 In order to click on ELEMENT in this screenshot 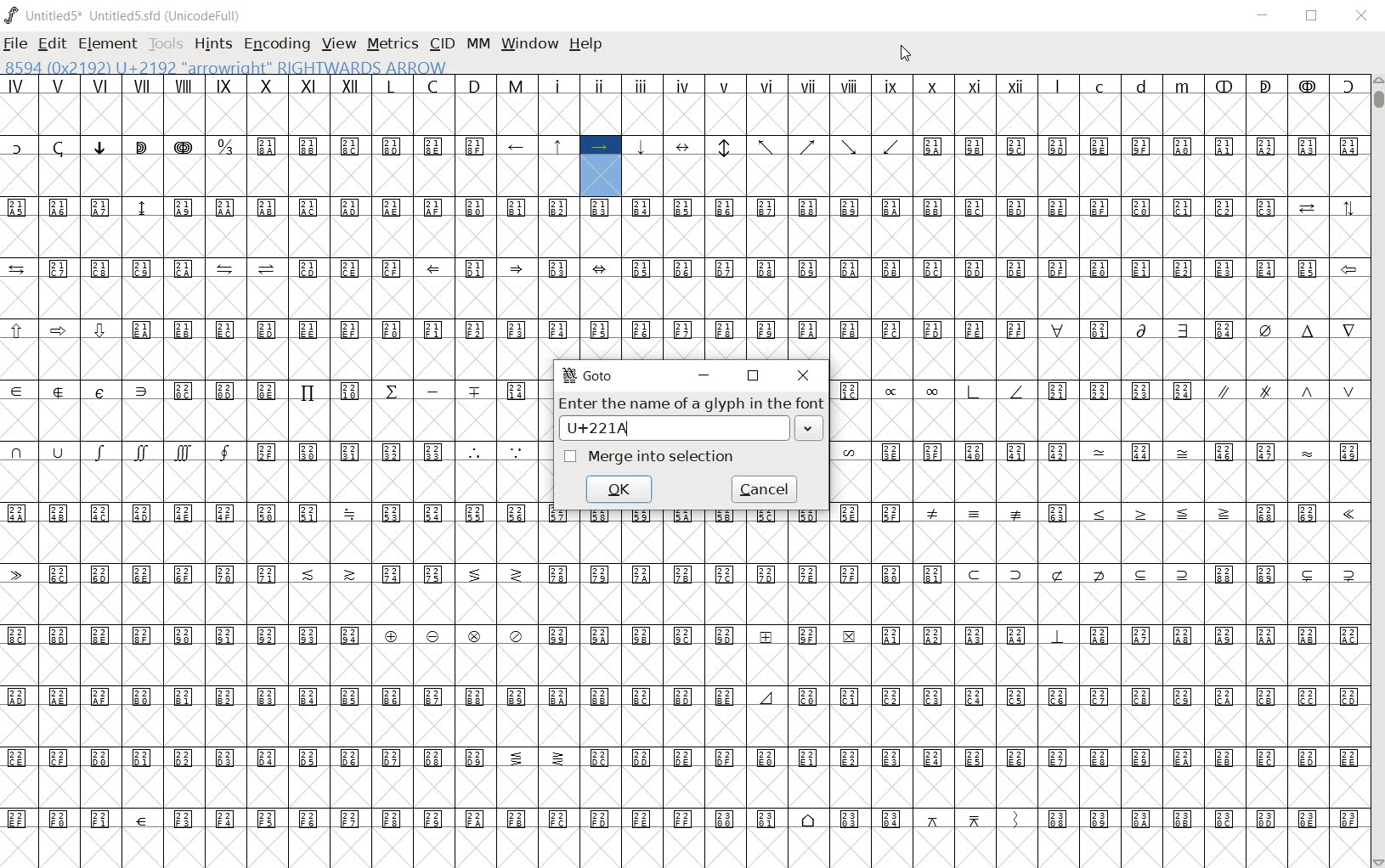, I will do `click(108, 45)`.